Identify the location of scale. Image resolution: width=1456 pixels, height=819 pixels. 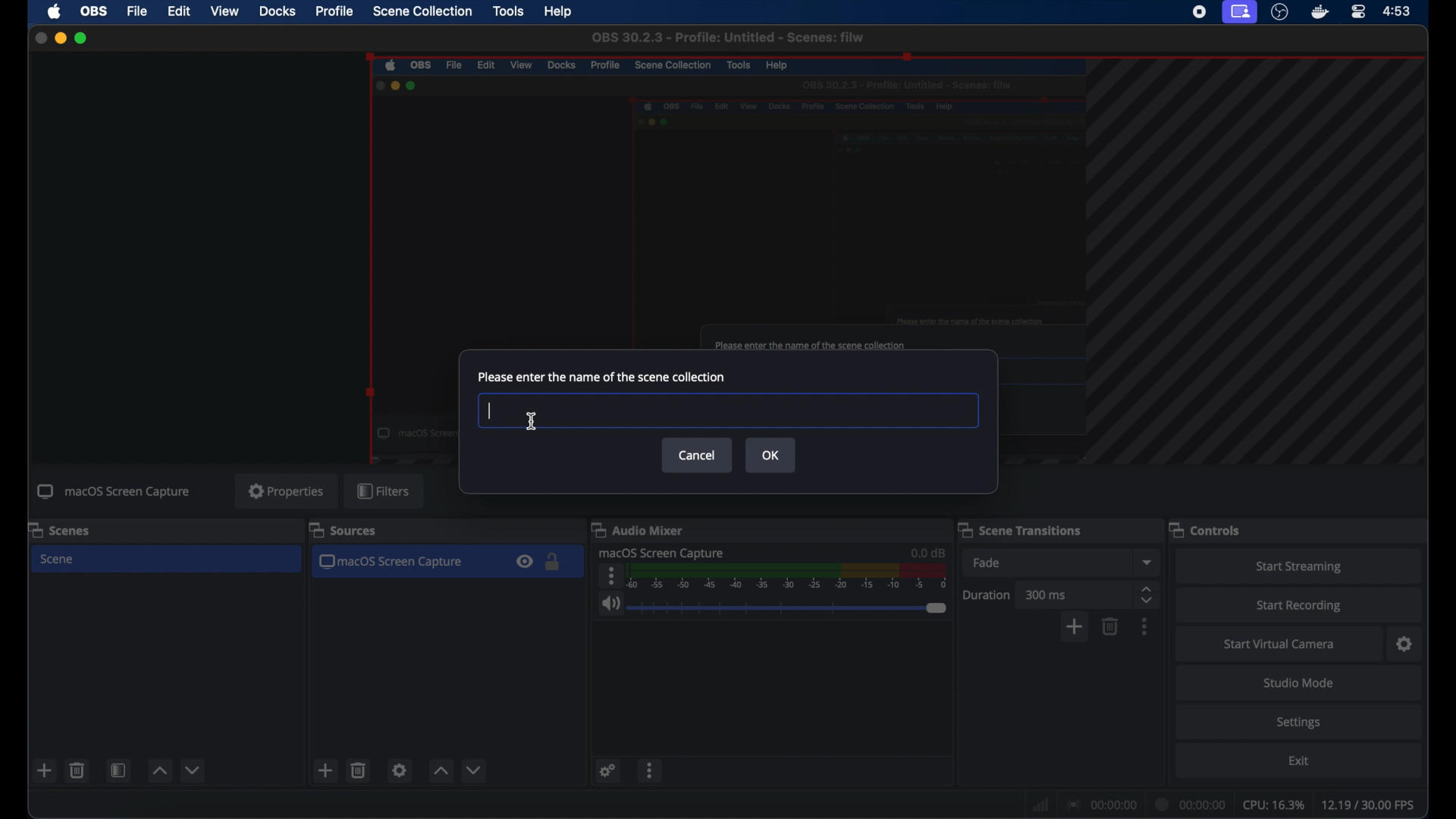
(789, 576).